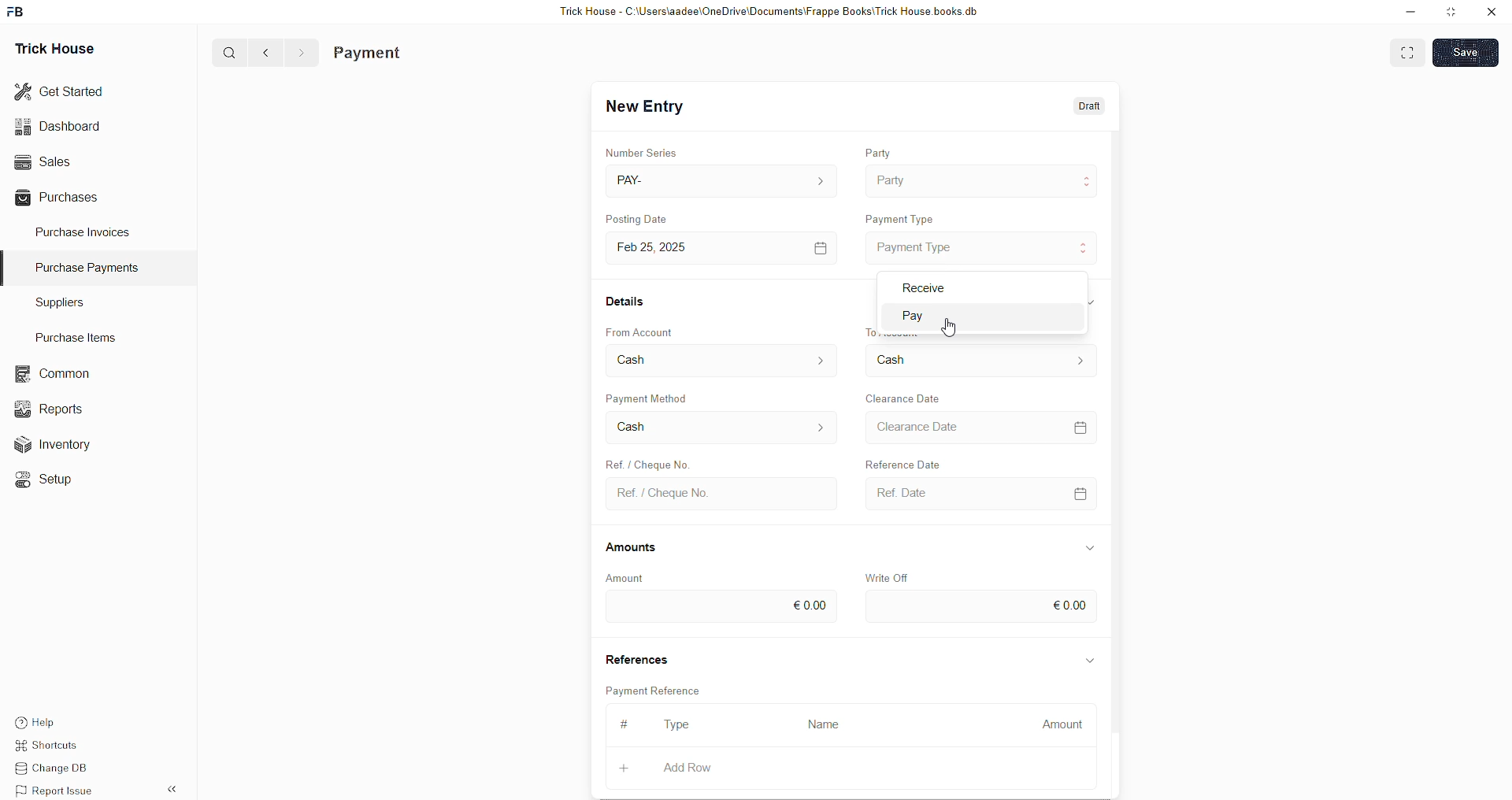 The image size is (1512, 800). What do you see at coordinates (828, 724) in the screenshot?
I see `Name` at bounding box center [828, 724].